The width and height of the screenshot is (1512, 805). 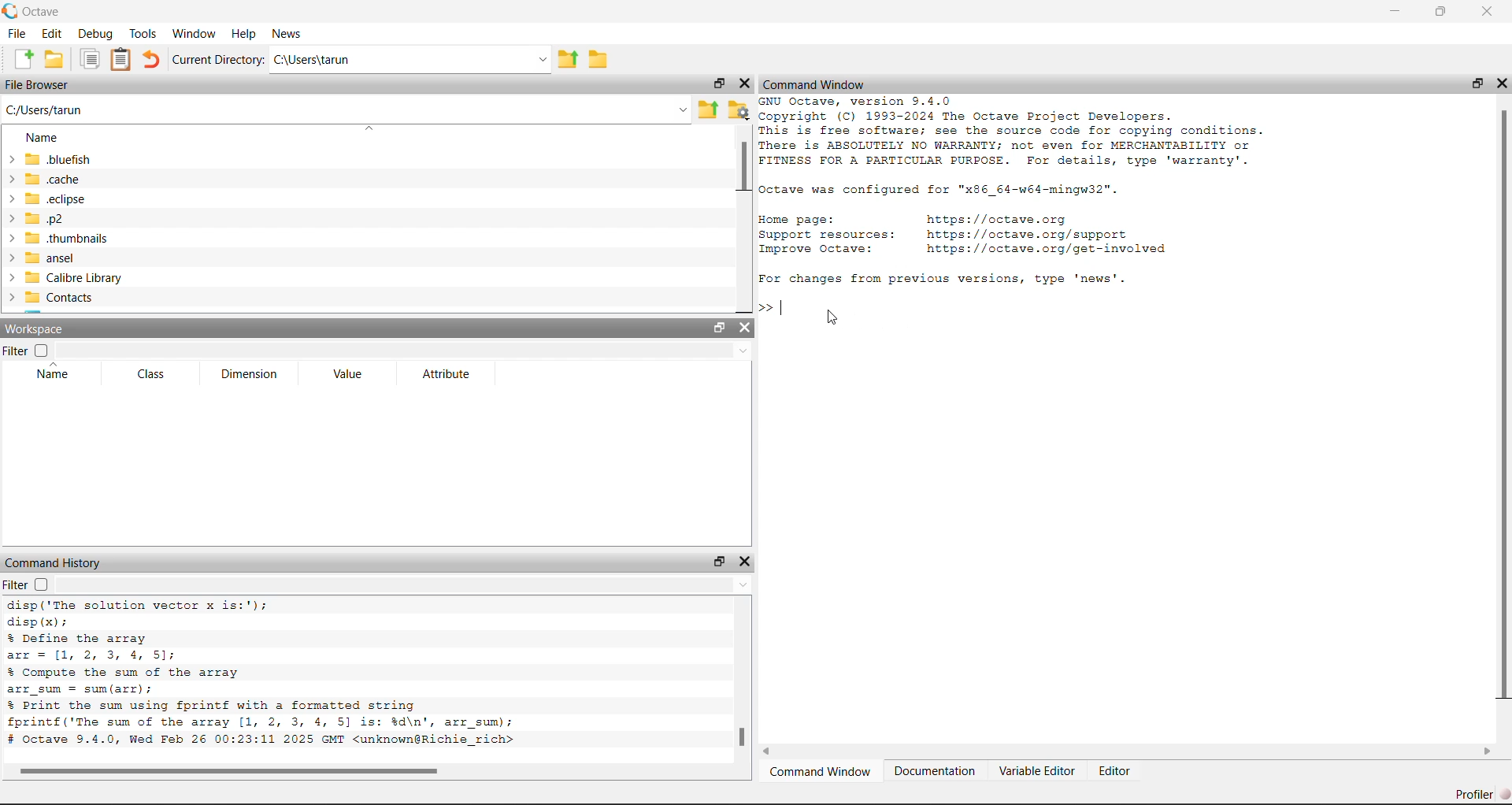 What do you see at coordinates (16, 351) in the screenshot?
I see `Filter` at bounding box center [16, 351].